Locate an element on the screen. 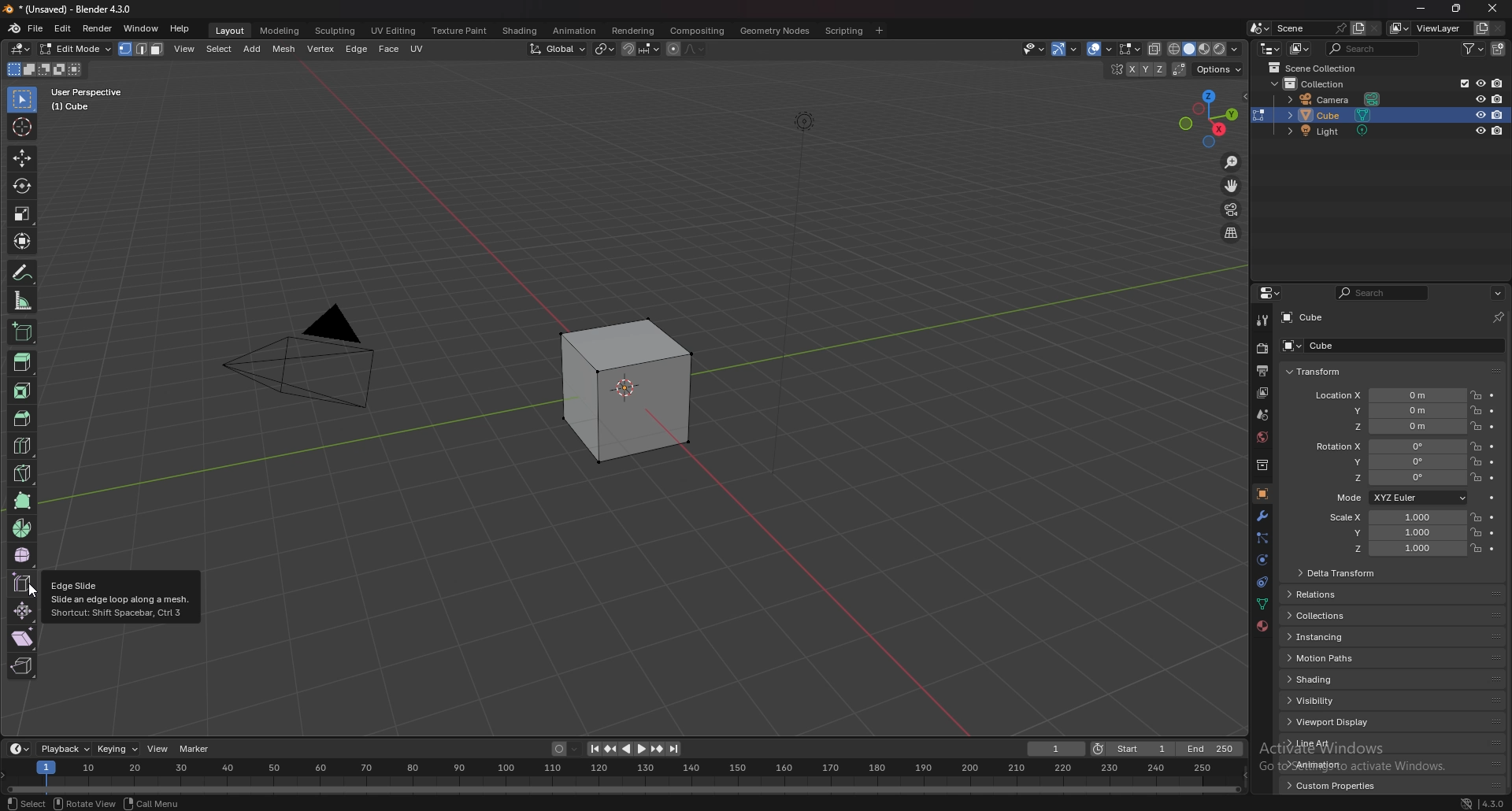  resize is located at coordinates (1457, 9).